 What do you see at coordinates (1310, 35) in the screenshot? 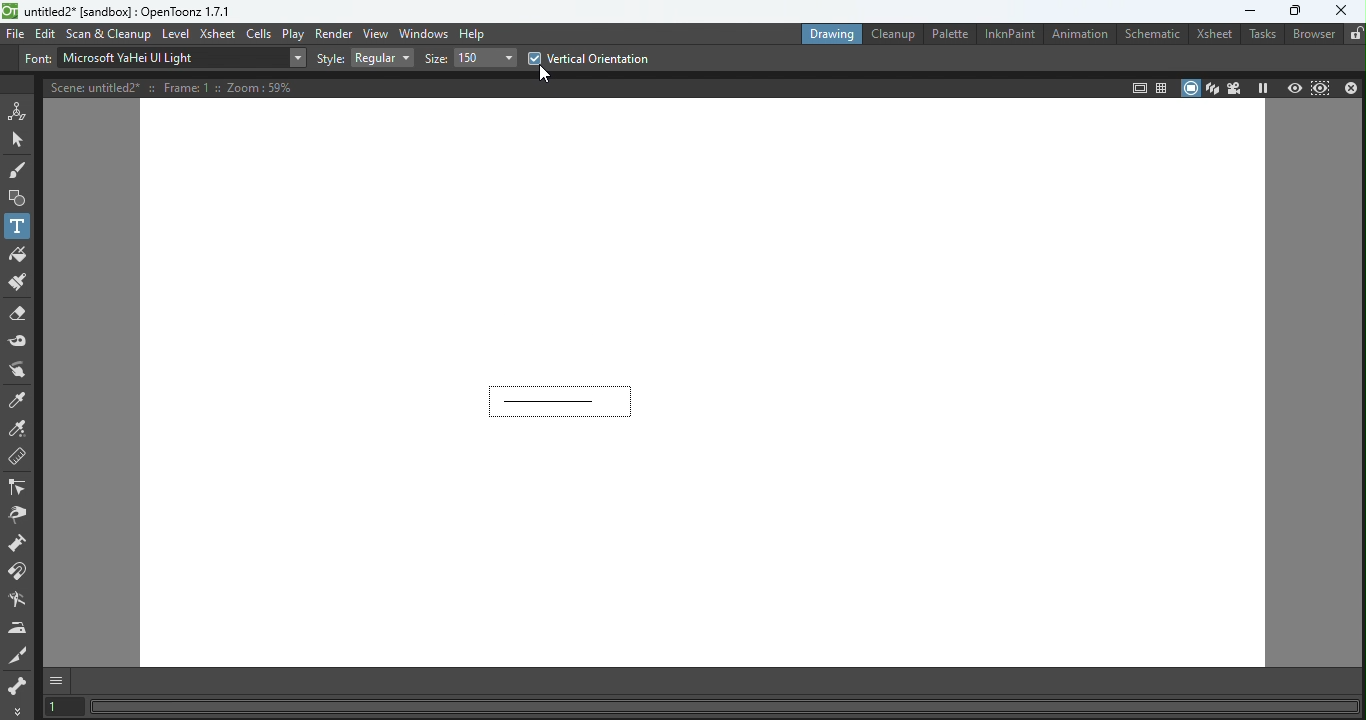
I see `Browser` at bounding box center [1310, 35].